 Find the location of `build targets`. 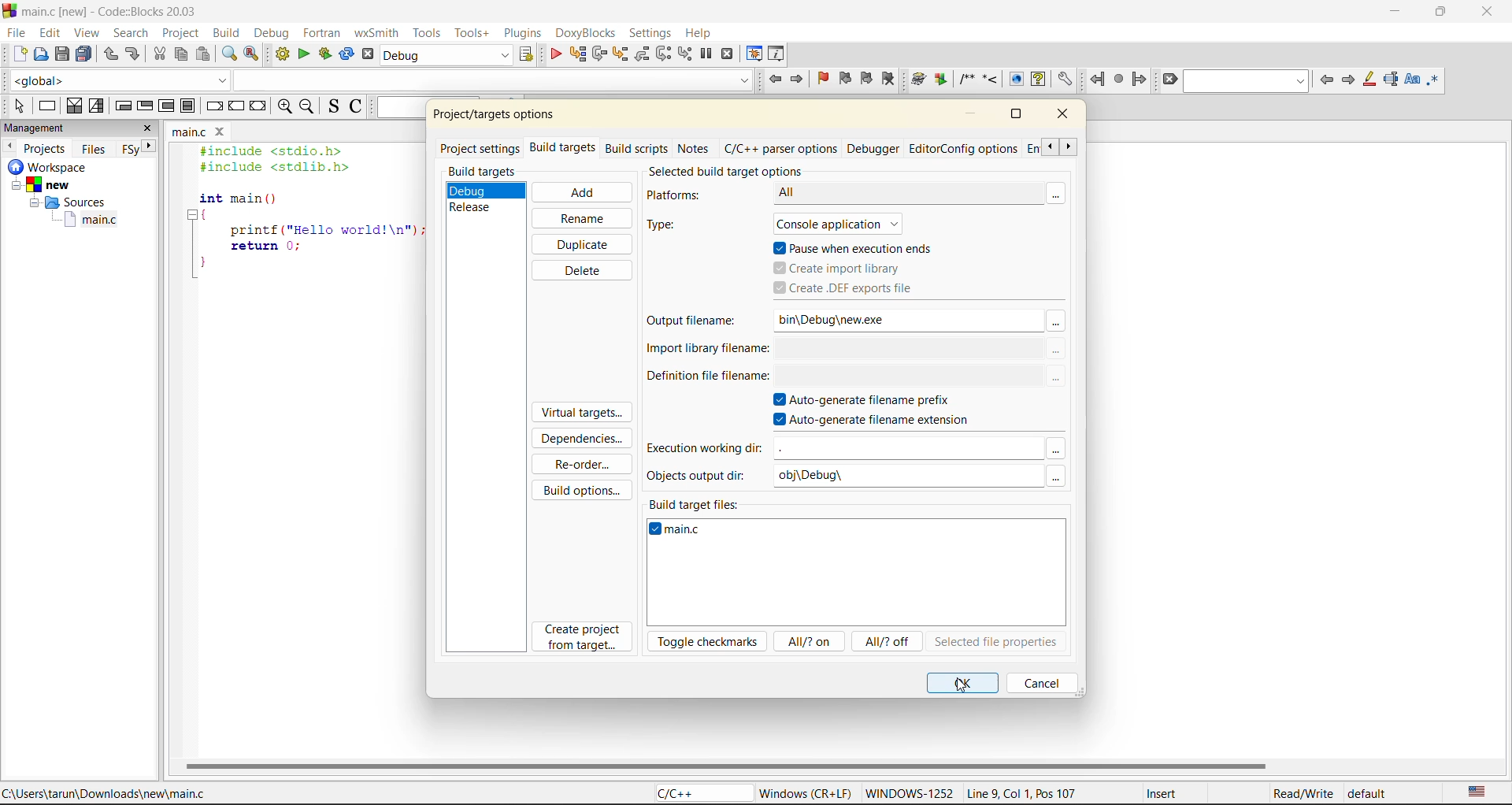

build targets is located at coordinates (484, 172).